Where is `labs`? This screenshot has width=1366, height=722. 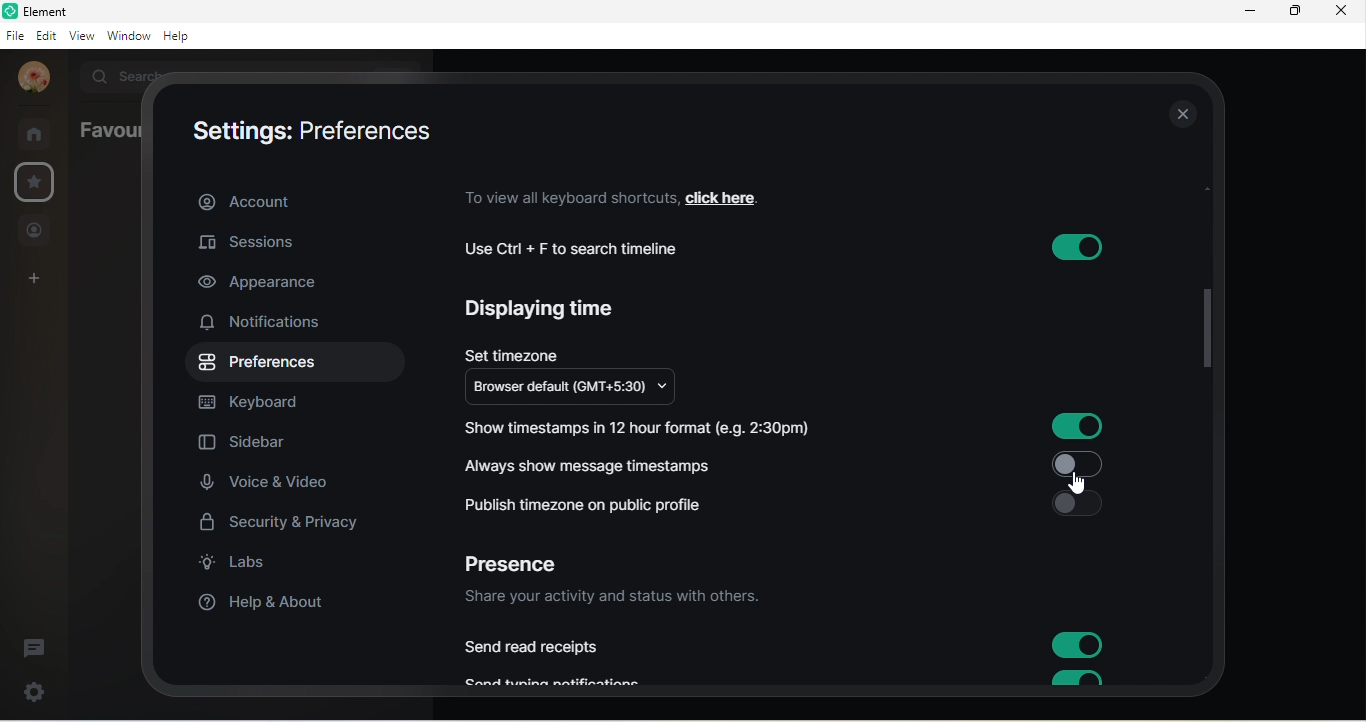 labs is located at coordinates (244, 567).